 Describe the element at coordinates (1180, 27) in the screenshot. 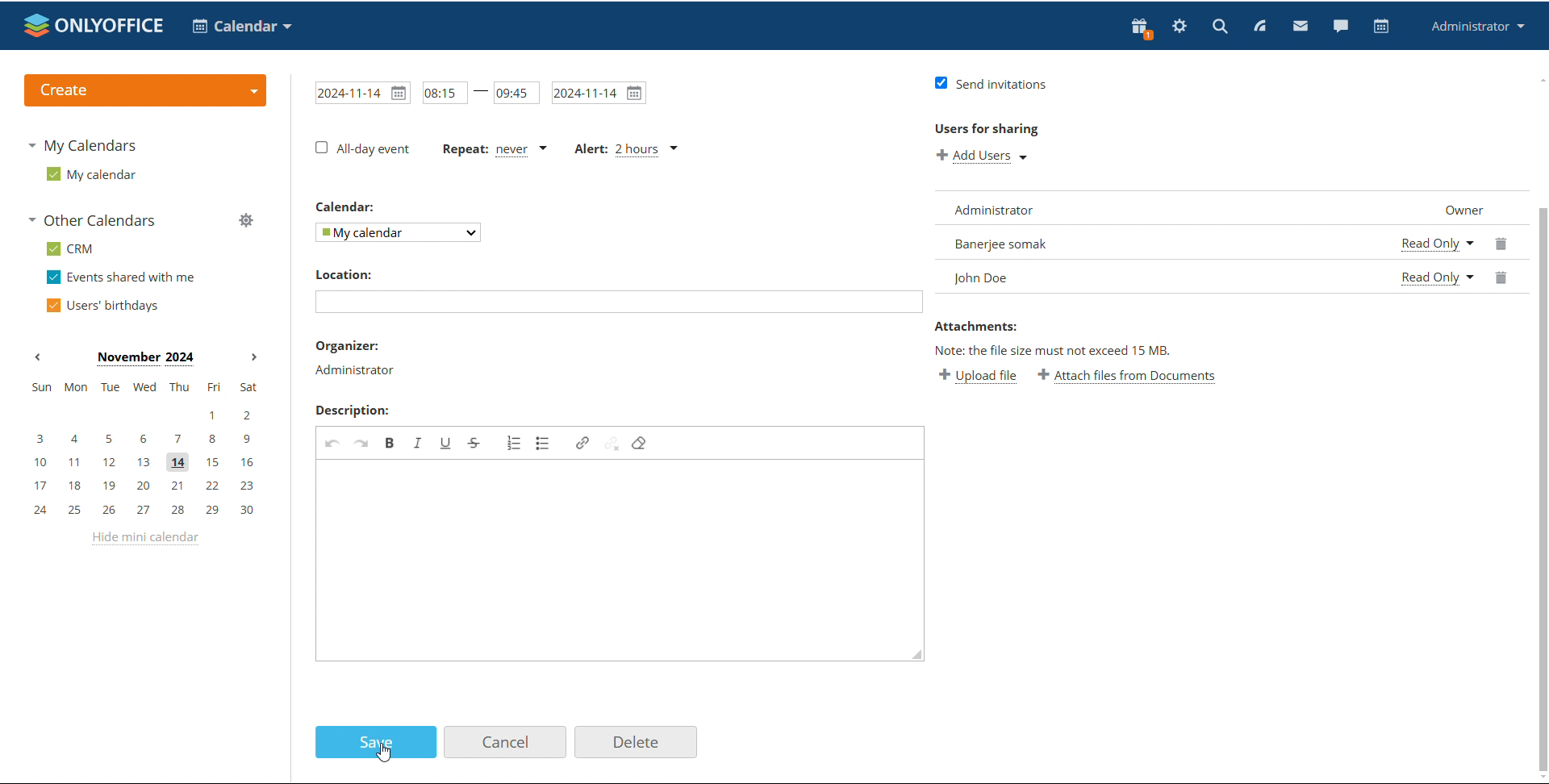

I see `settings` at that location.